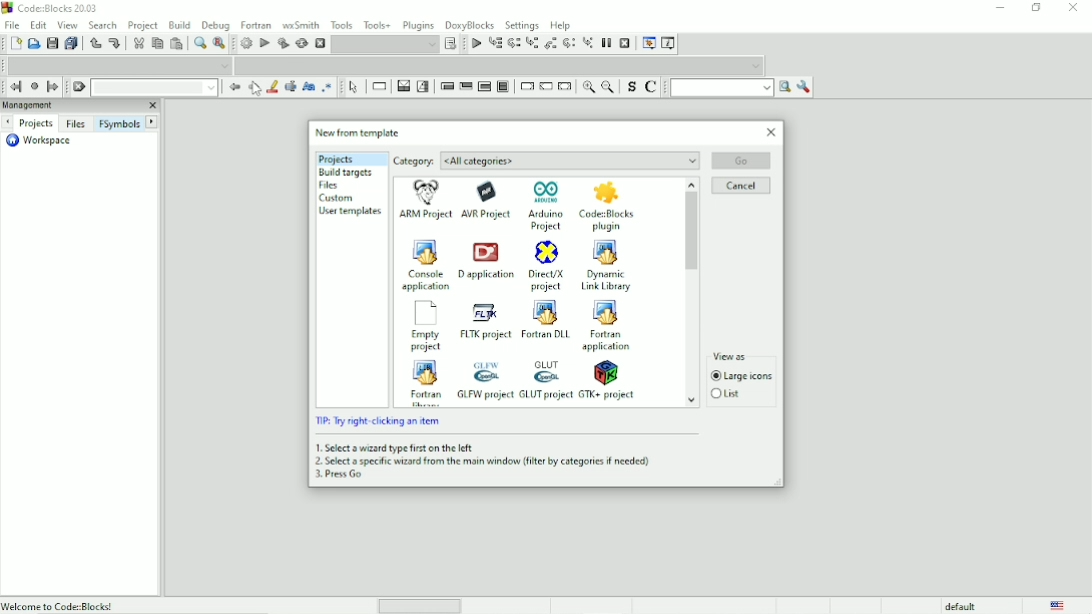  What do you see at coordinates (273, 87) in the screenshot?
I see `Highlight` at bounding box center [273, 87].